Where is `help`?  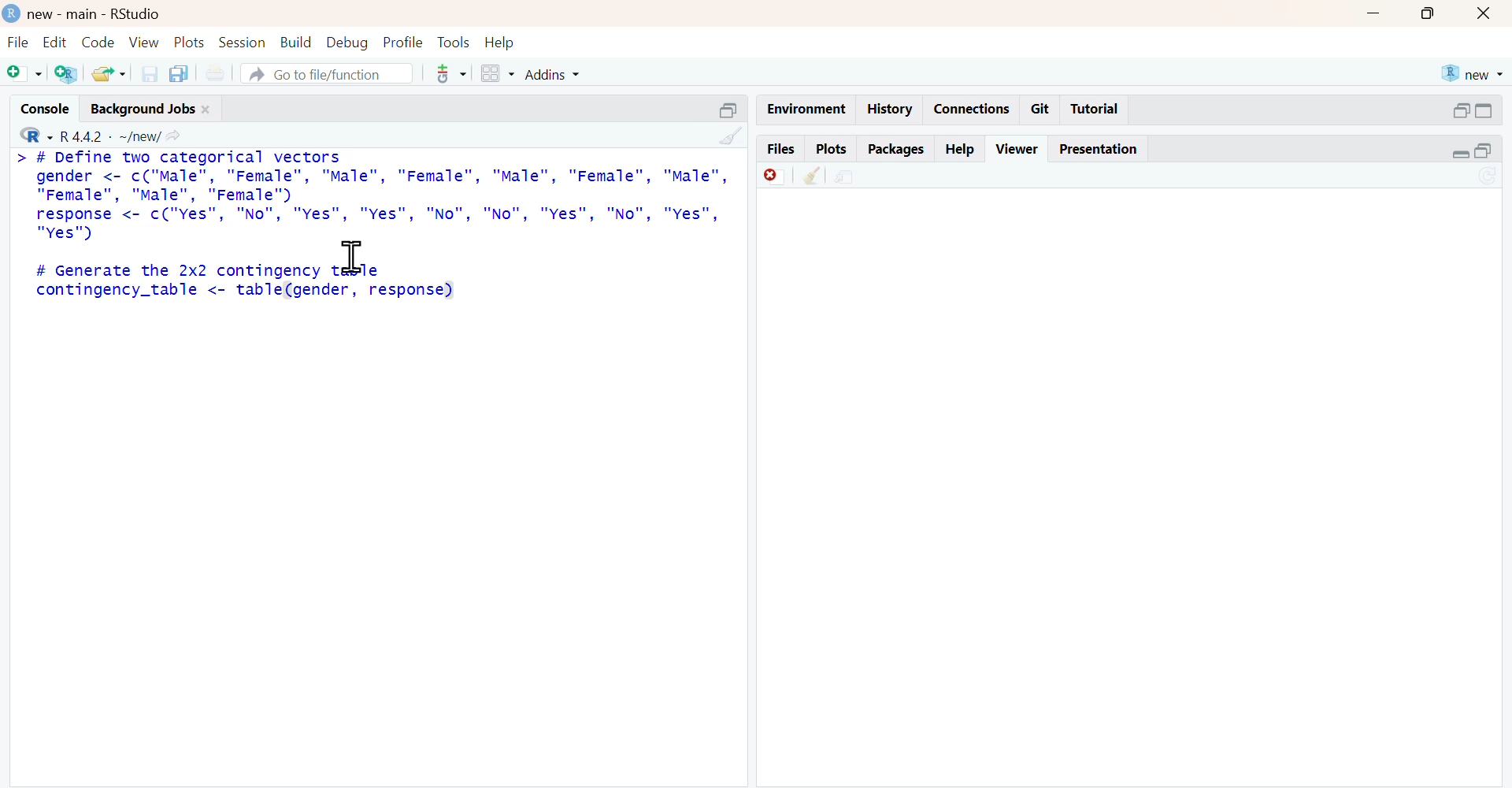
help is located at coordinates (500, 44).